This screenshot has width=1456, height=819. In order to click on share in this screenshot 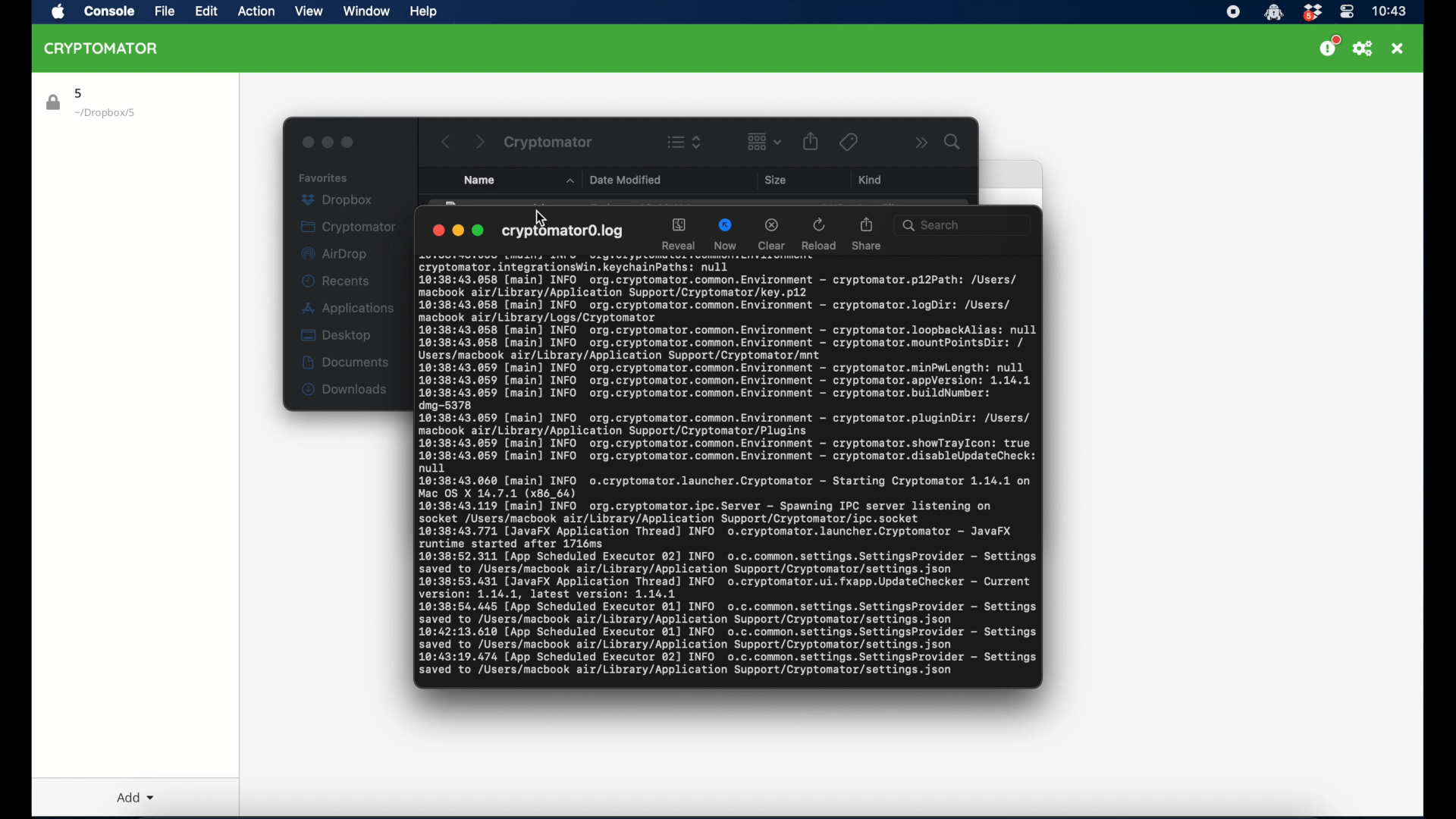, I will do `click(867, 224)`.